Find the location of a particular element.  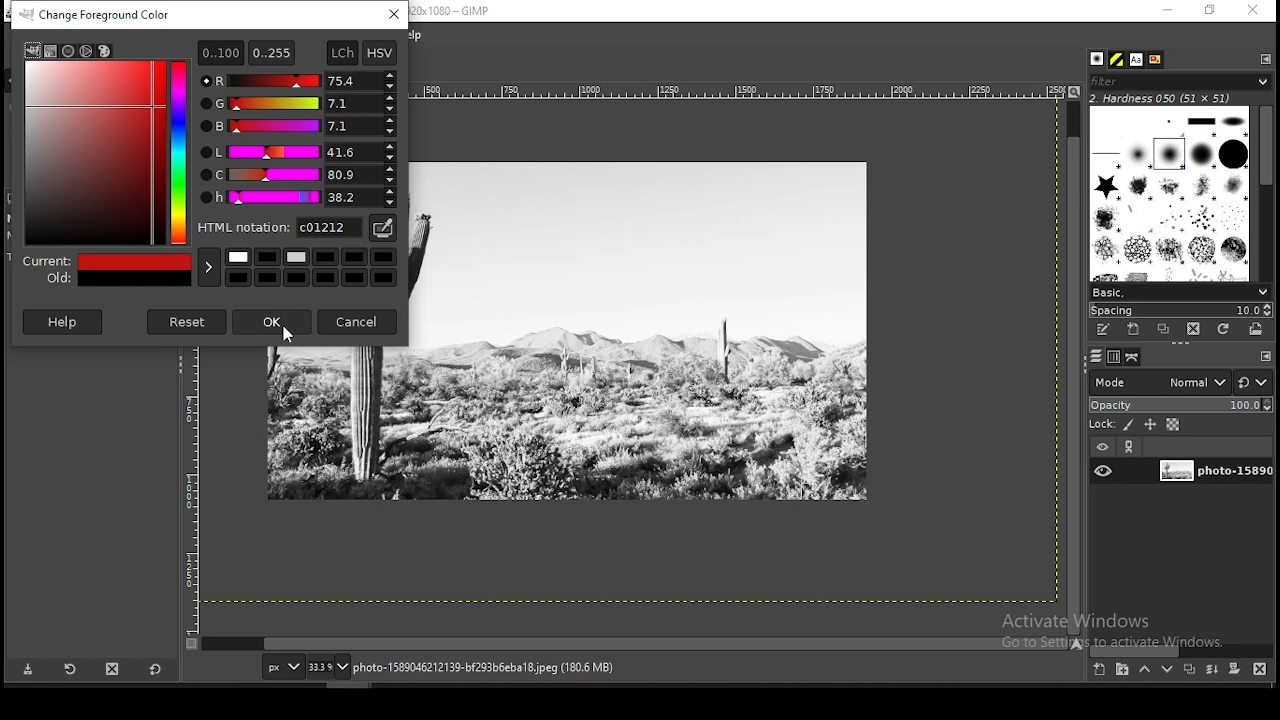

reload tool preset is located at coordinates (72, 668).